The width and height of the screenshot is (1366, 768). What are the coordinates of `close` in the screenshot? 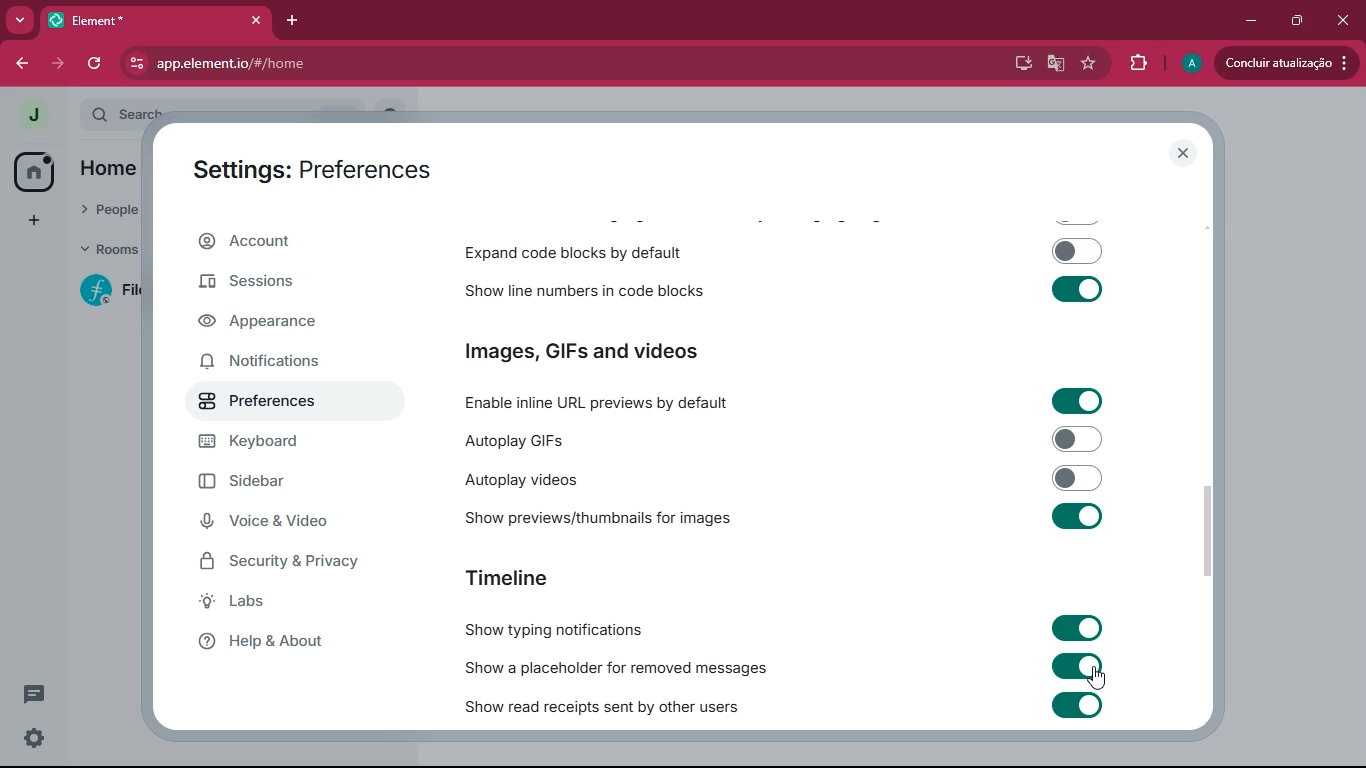 It's located at (1345, 24).